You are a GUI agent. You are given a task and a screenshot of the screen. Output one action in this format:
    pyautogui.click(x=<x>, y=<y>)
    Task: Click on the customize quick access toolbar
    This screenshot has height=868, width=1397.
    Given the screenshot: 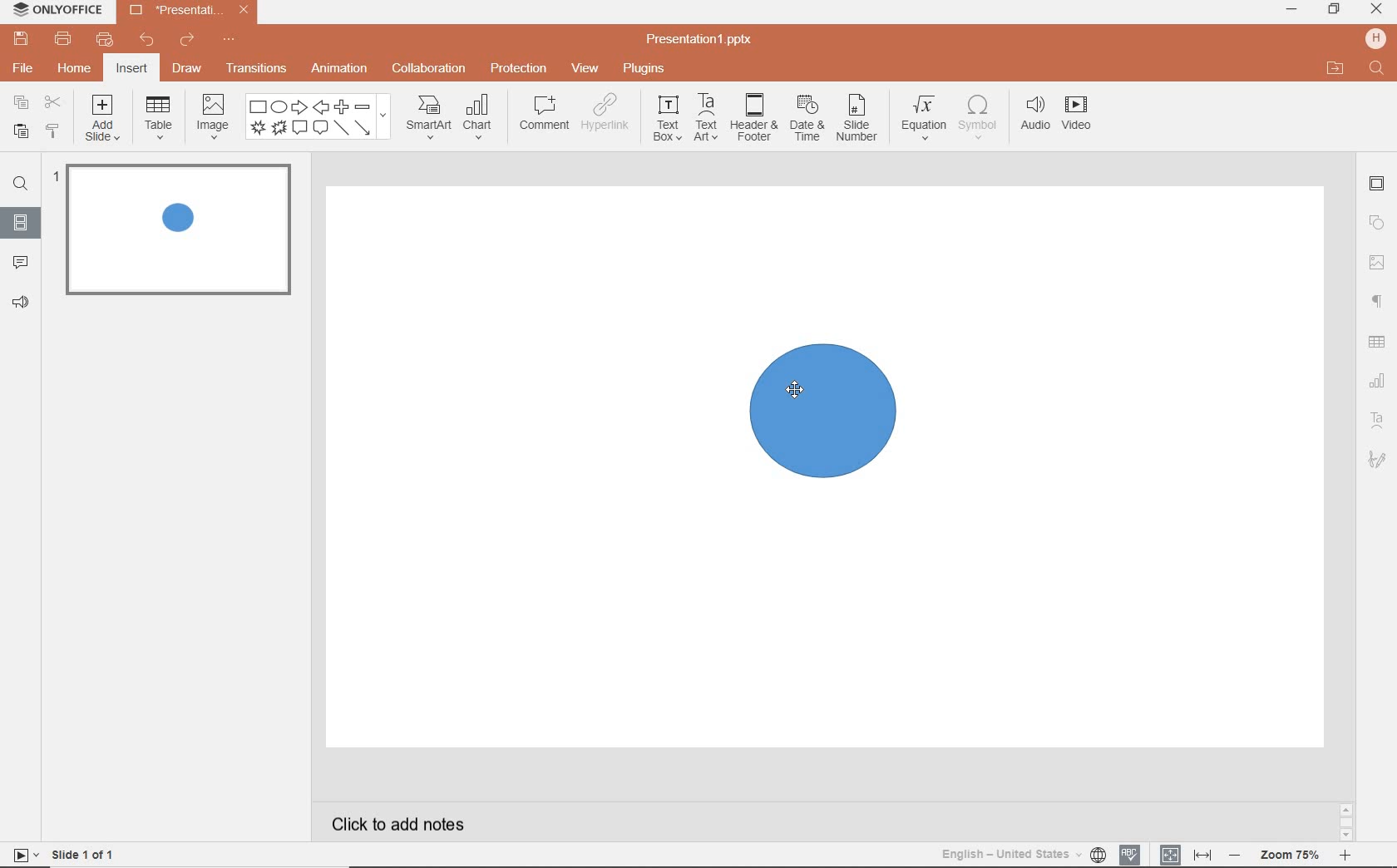 What is the action you would take?
    pyautogui.click(x=230, y=37)
    